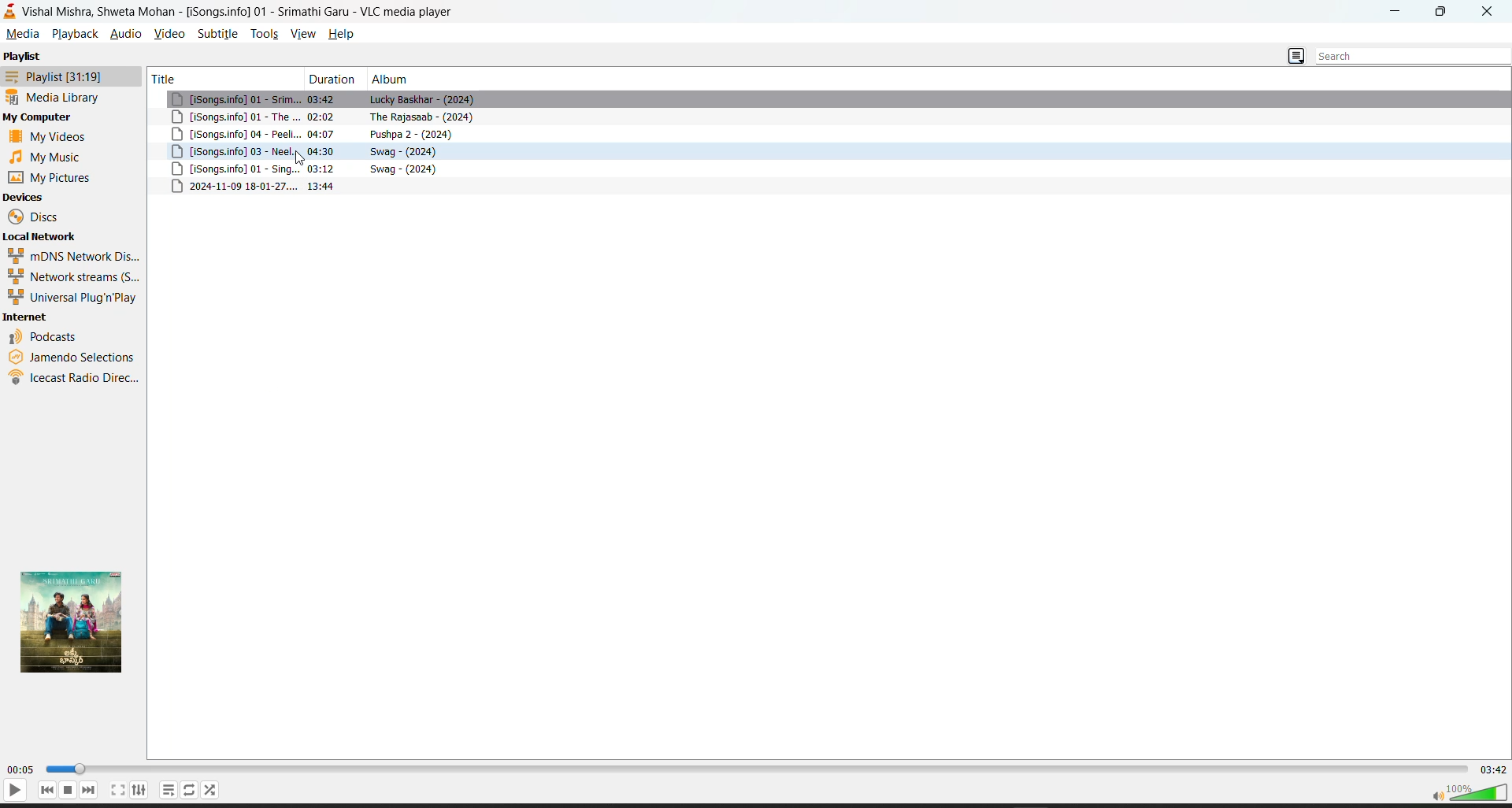 The width and height of the screenshot is (1512, 808). What do you see at coordinates (47, 790) in the screenshot?
I see `previous` at bounding box center [47, 790].